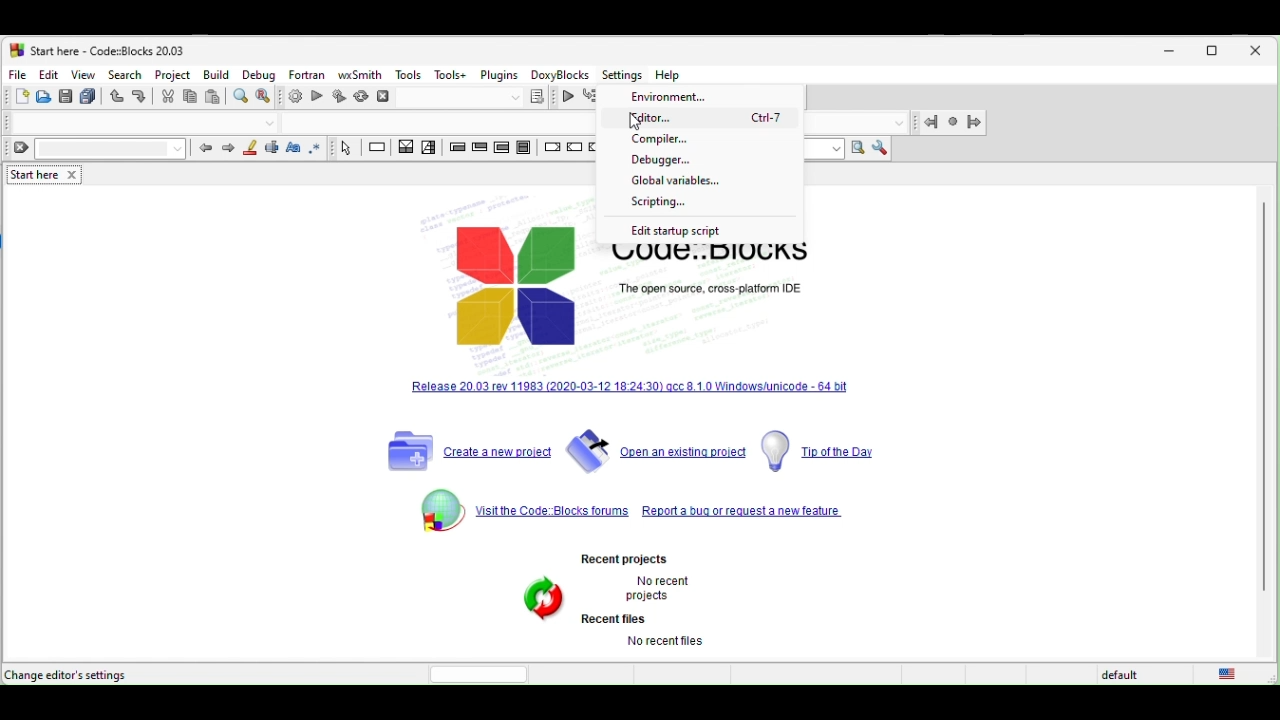 The width and height of the screenshot is (1280, 720). I want to click on horizontal scroll bar, so click(482, 673).